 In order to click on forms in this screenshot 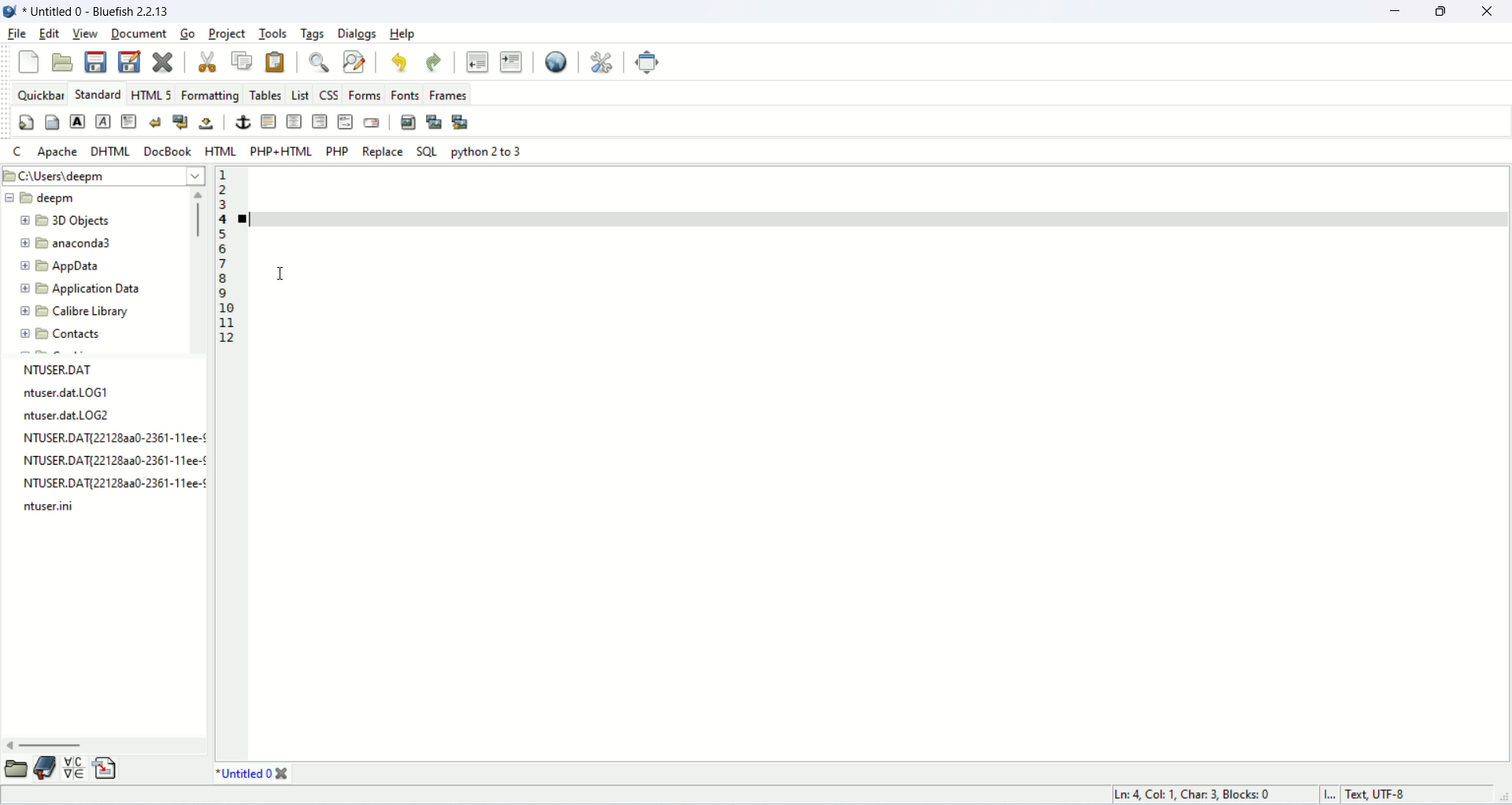, I will do `click(363, 95)`.